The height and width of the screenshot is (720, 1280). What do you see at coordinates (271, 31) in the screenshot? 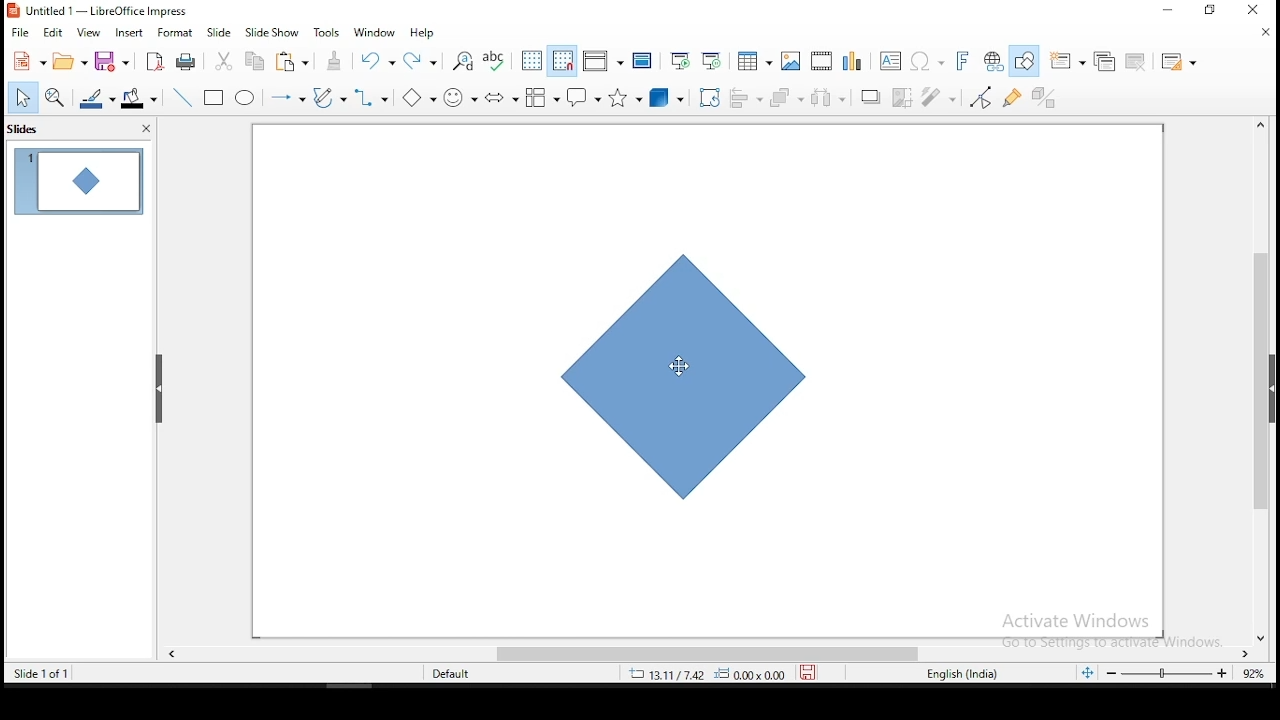
I see `slide show` at bounding box center [271, 31].